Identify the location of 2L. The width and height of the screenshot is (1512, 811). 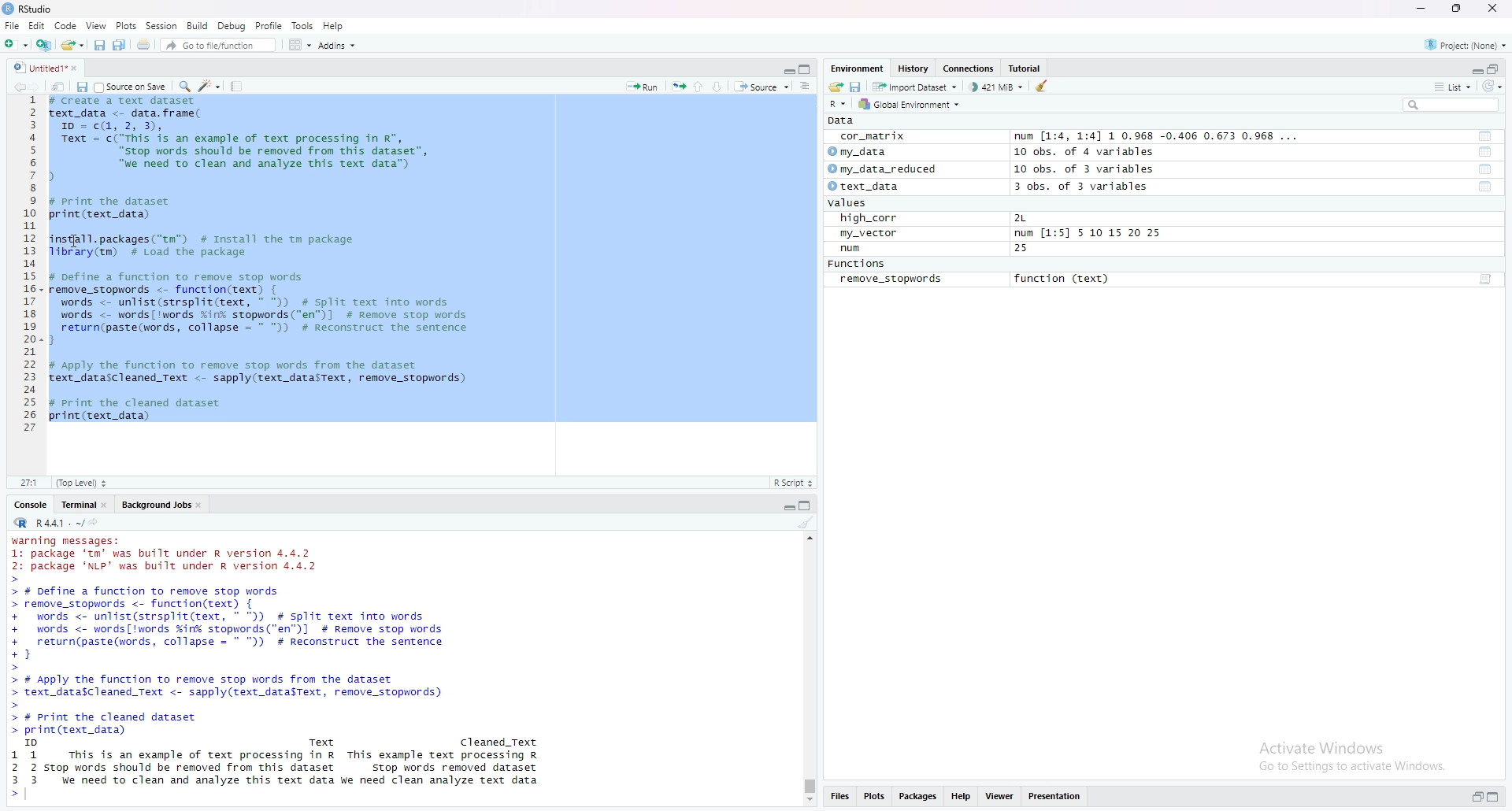
(1020, 218).